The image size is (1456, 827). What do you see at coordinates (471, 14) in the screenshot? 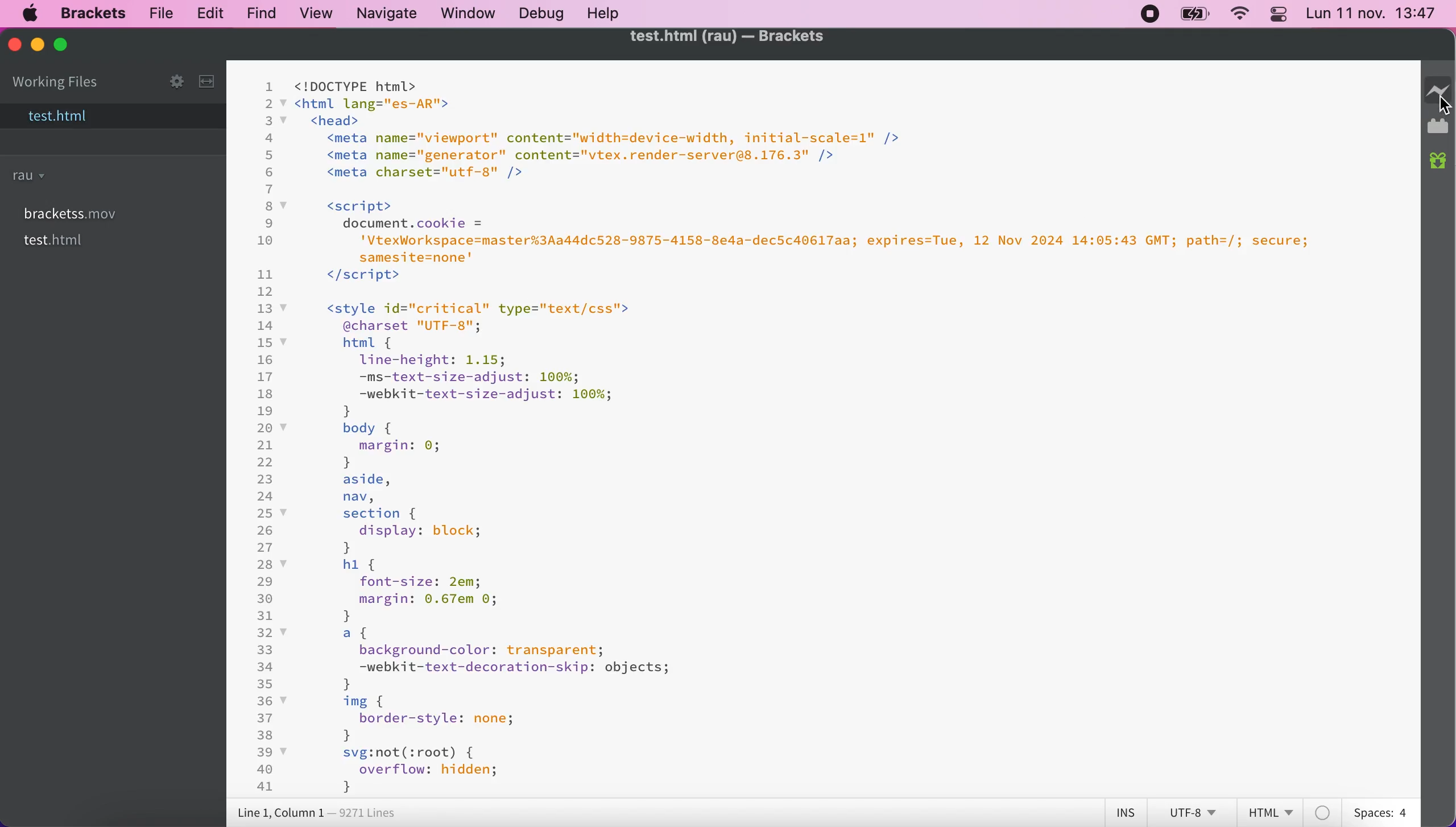
I see `window` at bounding box center [471, 14].